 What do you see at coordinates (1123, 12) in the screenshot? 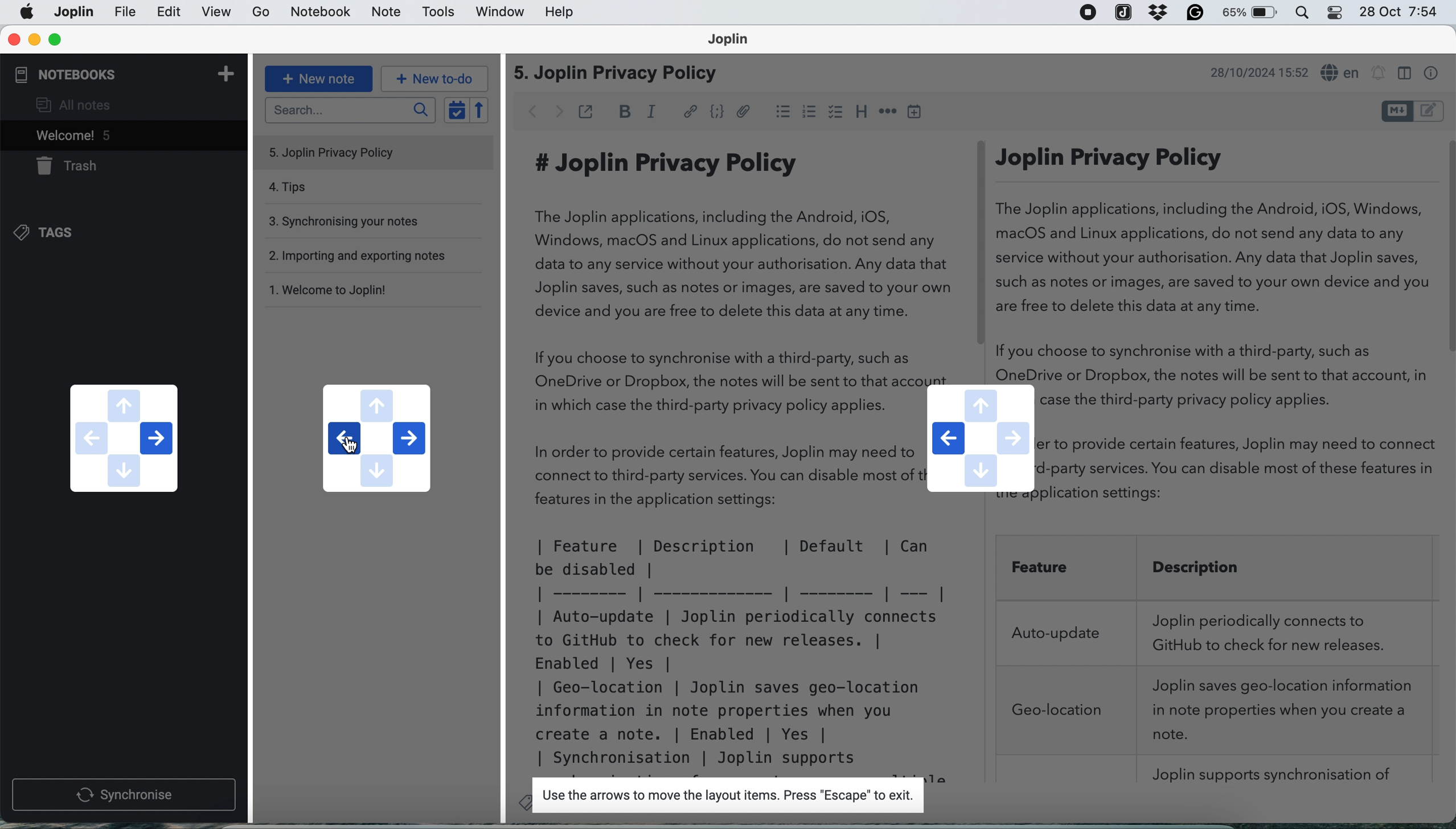
I see `joplin` at bounding box center [1123, 12].